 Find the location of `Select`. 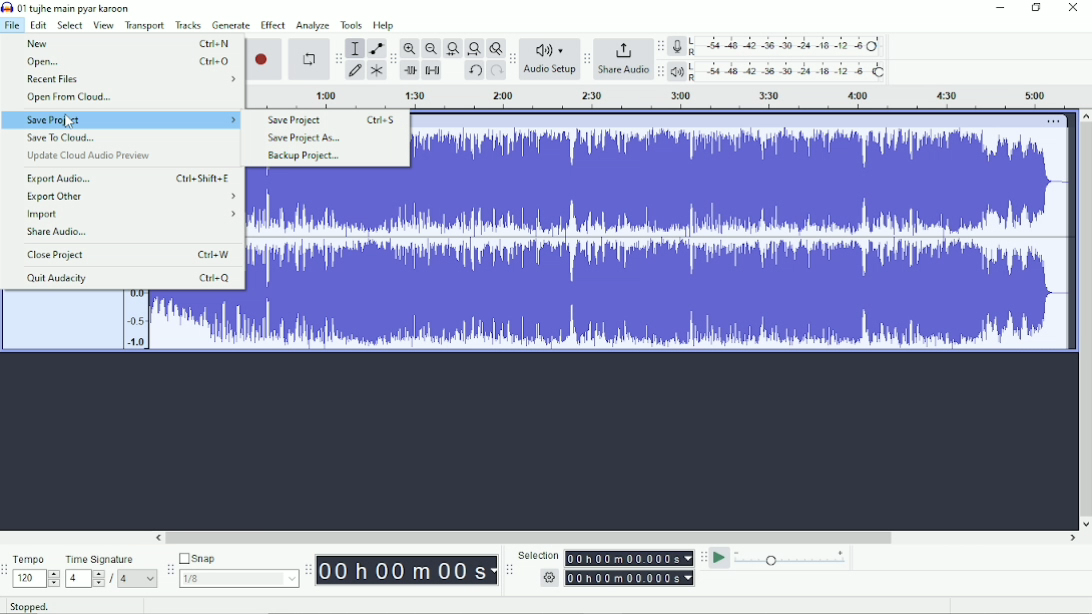

Select is located at coordinates (69, 25).